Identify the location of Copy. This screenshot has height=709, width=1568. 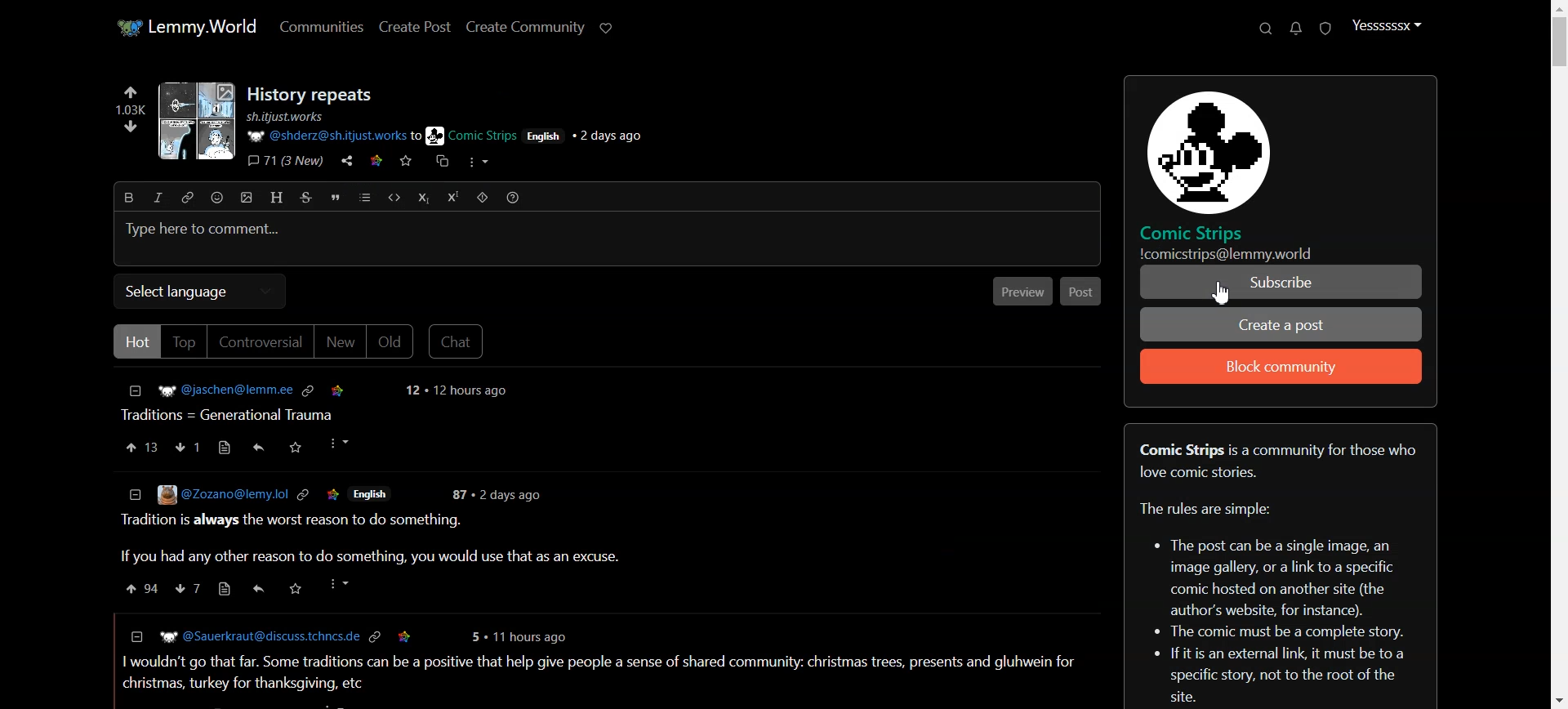
(439, 164).